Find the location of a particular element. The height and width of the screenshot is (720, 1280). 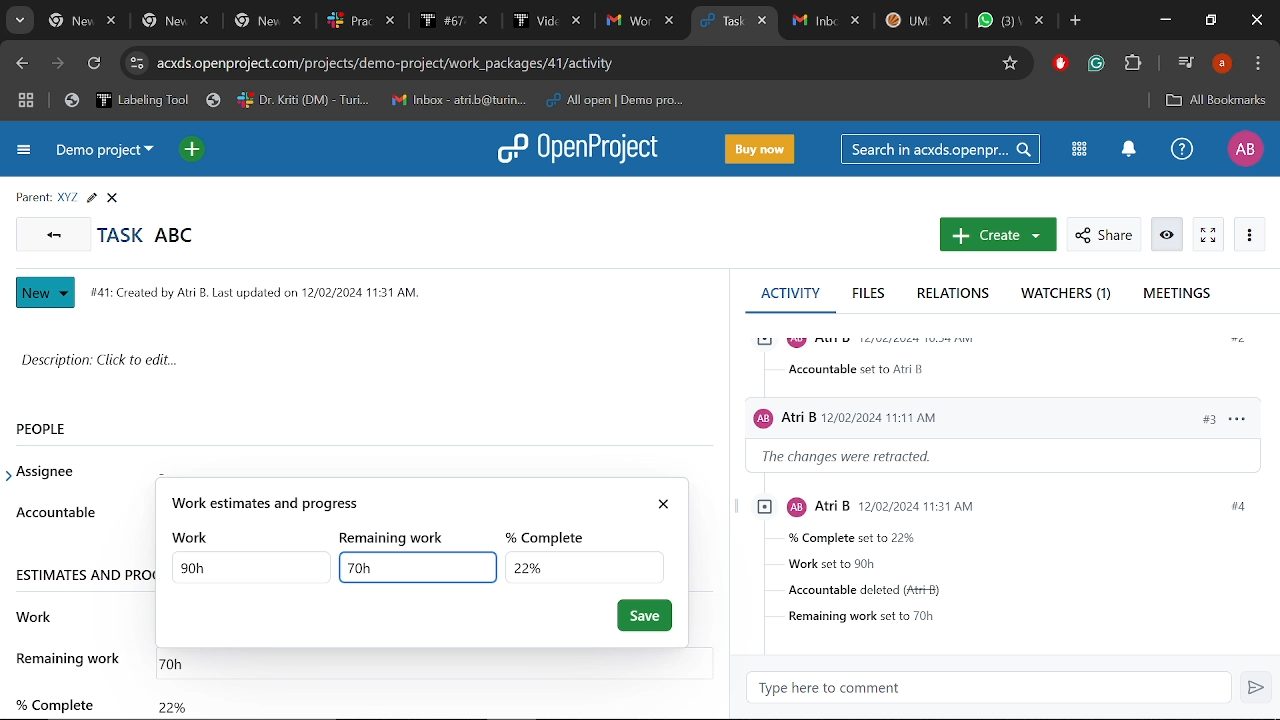

Current tab is located at coordinates (718, 22).